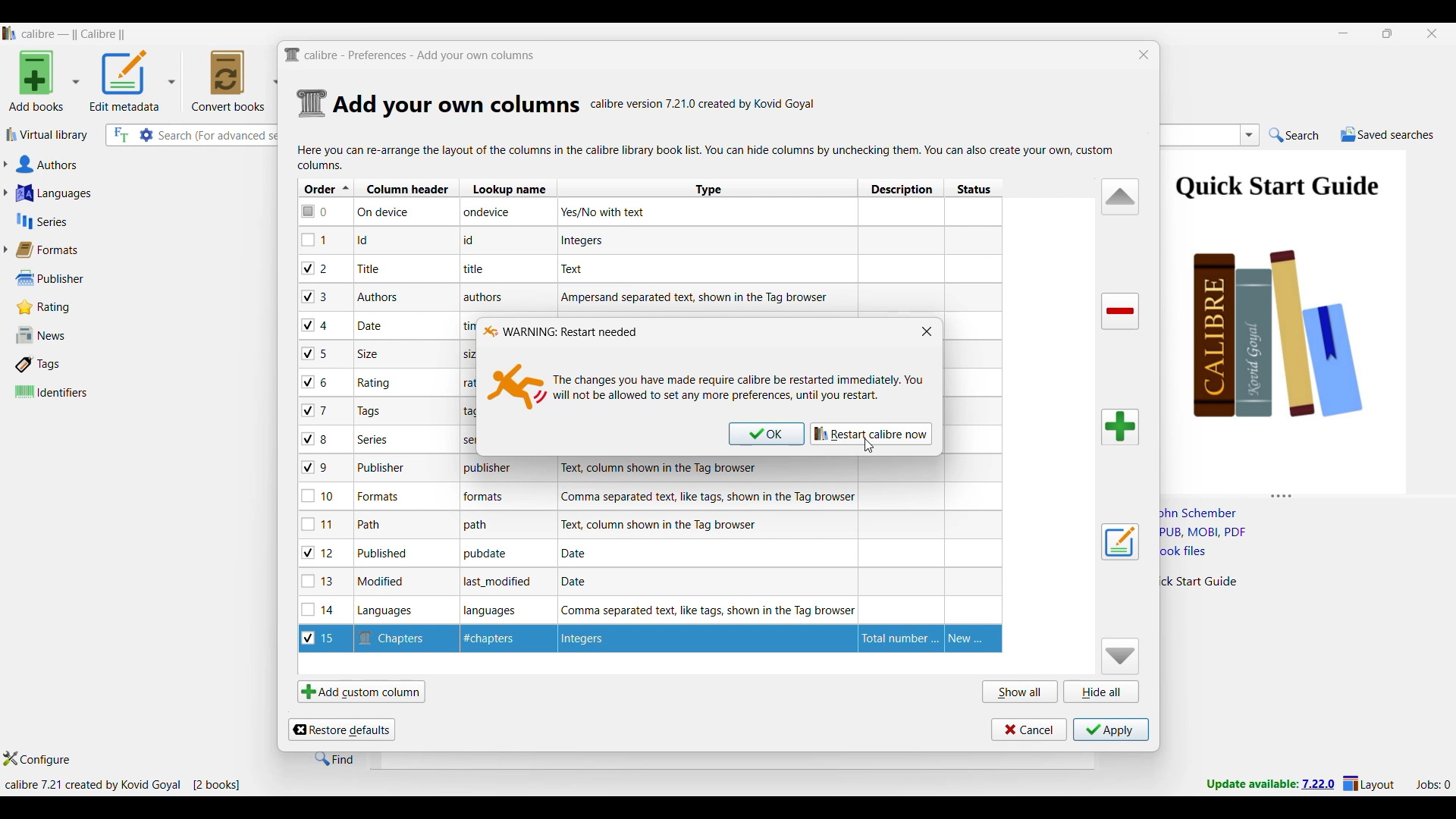 The width and height of the screenshot is (1456, 819). I want to click on Software name, so click(74, 34).